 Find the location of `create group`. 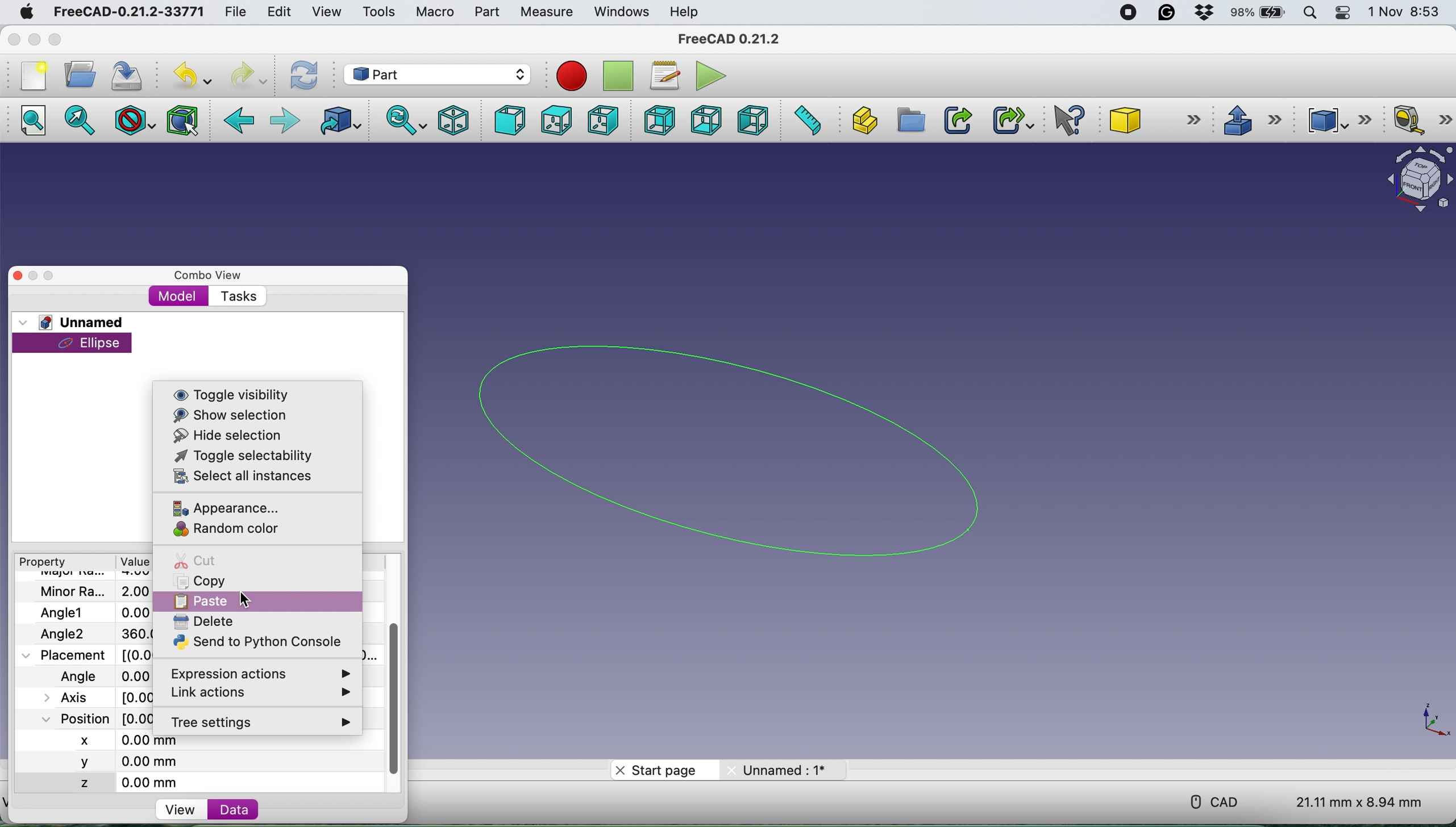

create group is located at coordinates (911, 123).